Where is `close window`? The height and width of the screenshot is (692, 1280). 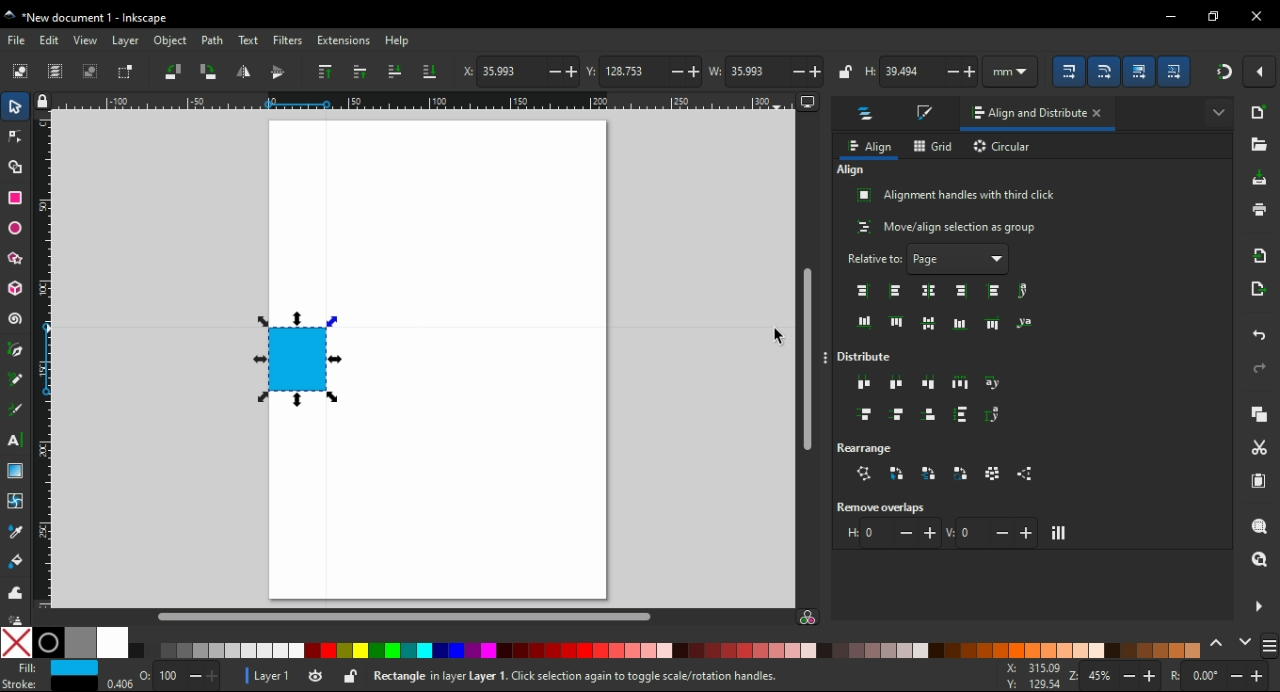 close window is located at coordinates (1254, 16).